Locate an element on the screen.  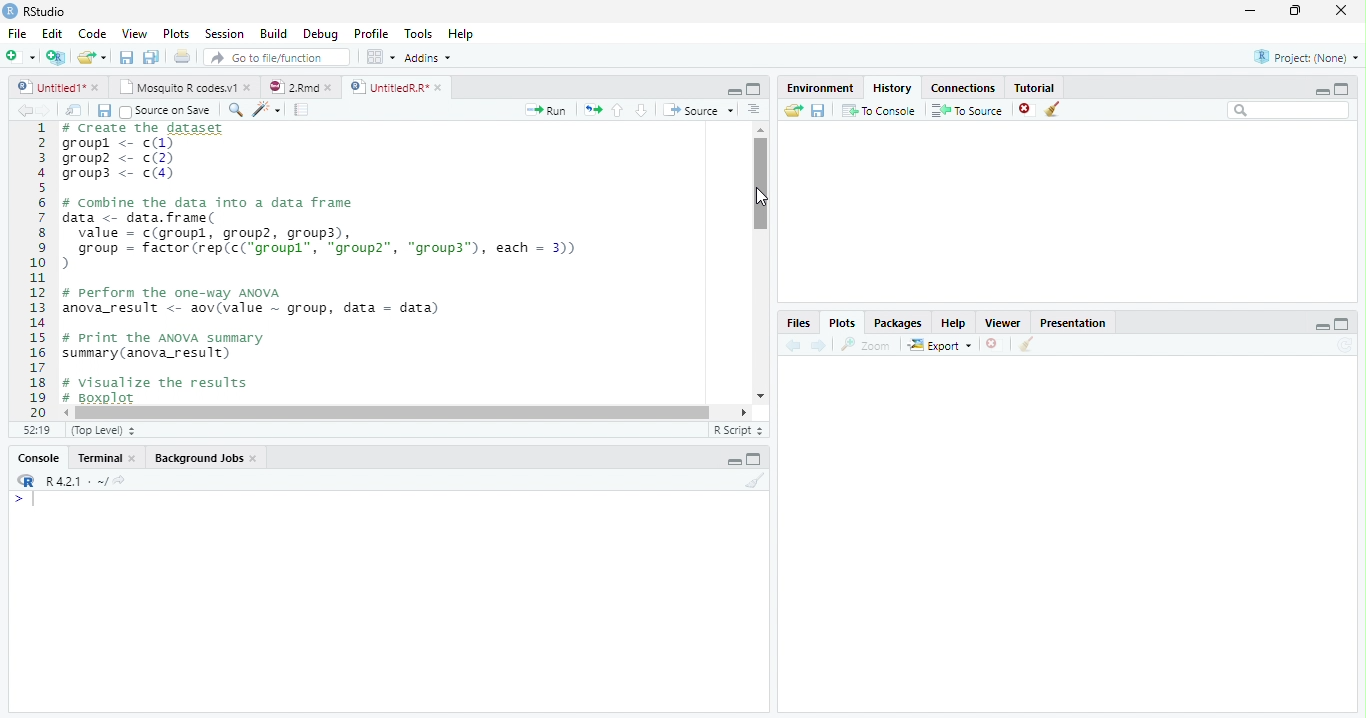
help is located at coordinates (954, 323).